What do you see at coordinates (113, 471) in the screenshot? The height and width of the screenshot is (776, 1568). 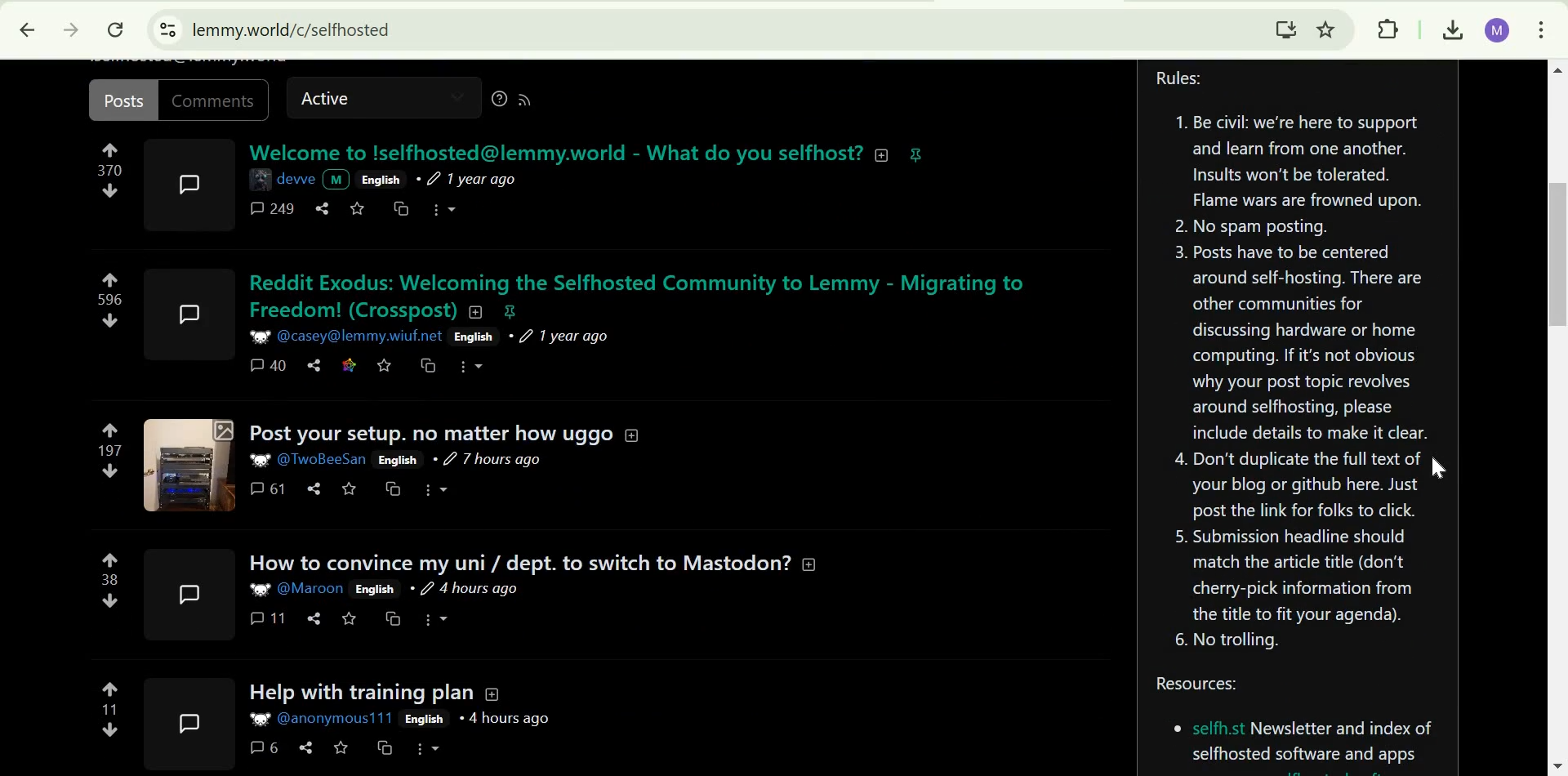 I see `downvote` at bounding box center [113, 471].